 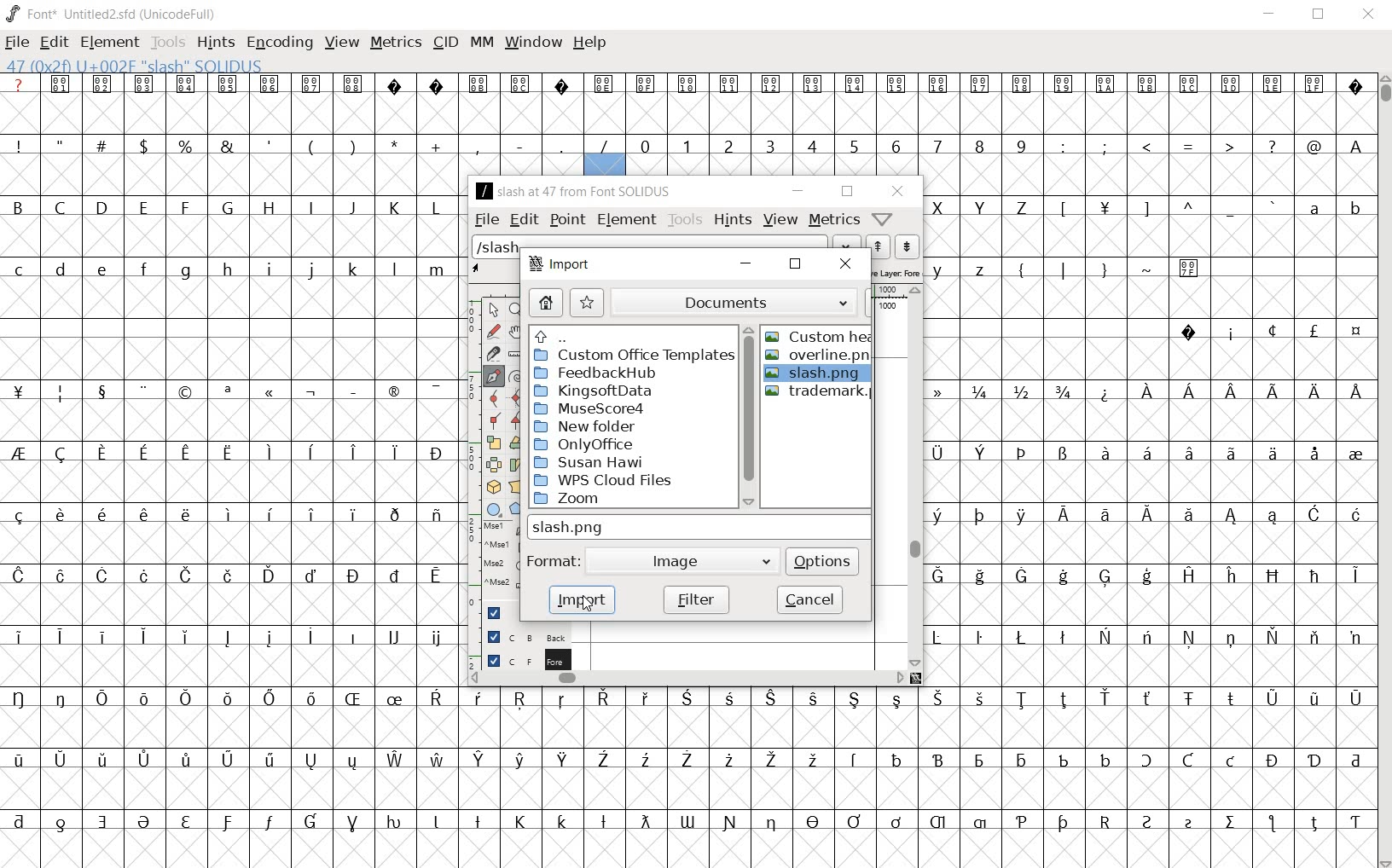 I want to click on empty cells, so click(x=1149, y=176).